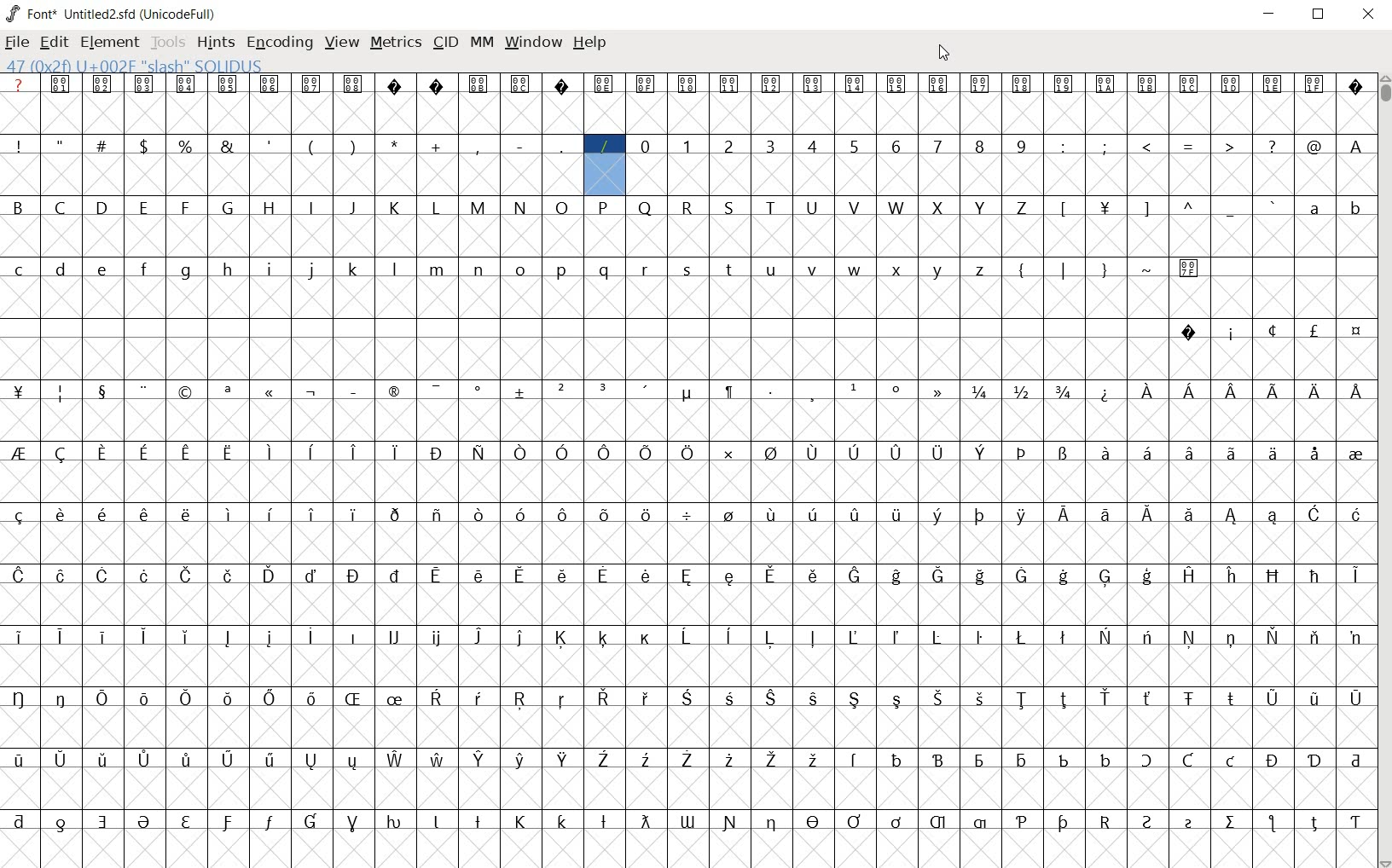  Describe the element at coordinates (227, 392) in the screenshot. I see `glyph` at that location.